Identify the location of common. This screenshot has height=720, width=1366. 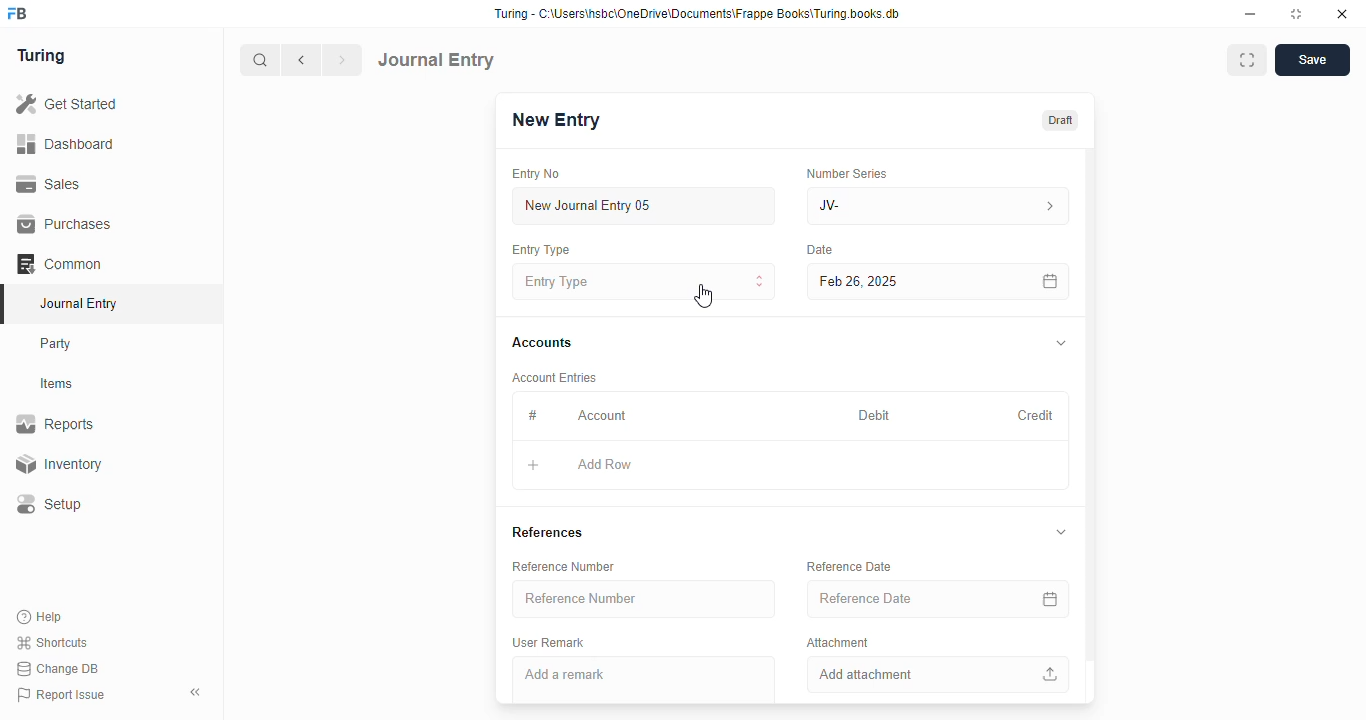
(61, 264).